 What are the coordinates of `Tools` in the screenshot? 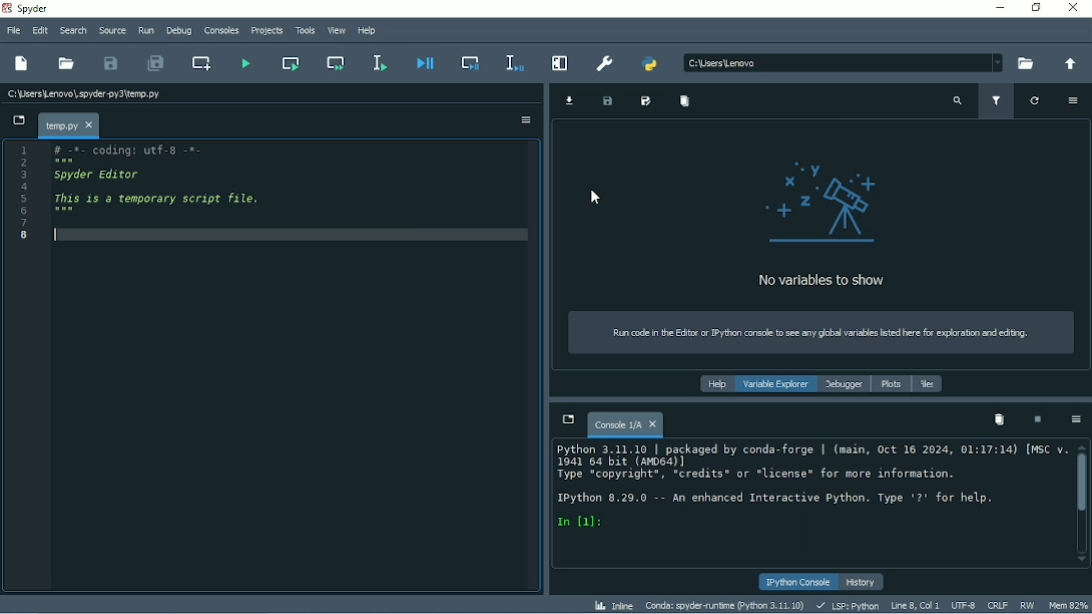 It's located at (304, 30).